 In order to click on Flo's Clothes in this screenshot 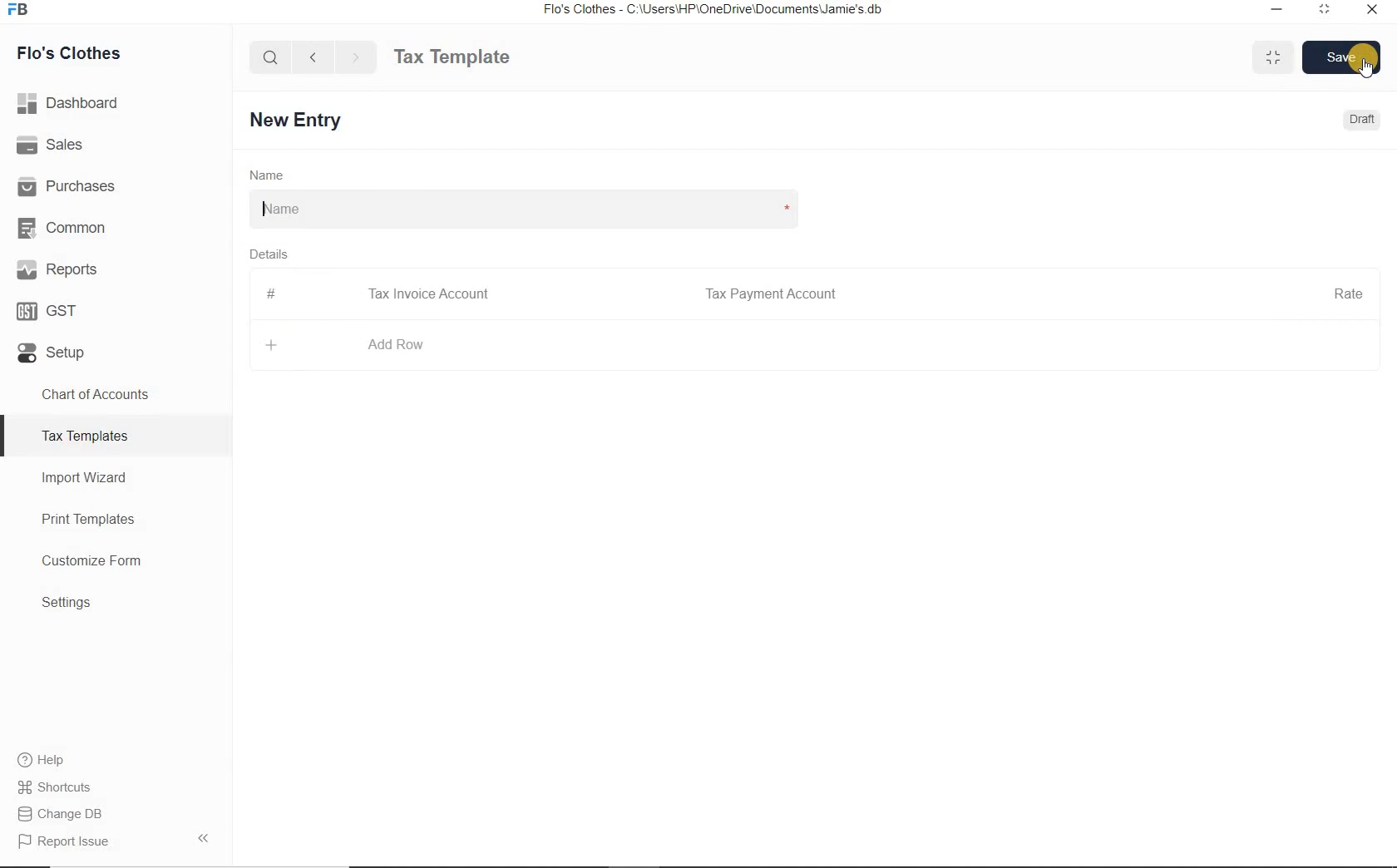, I will do `click(66, 53)`.